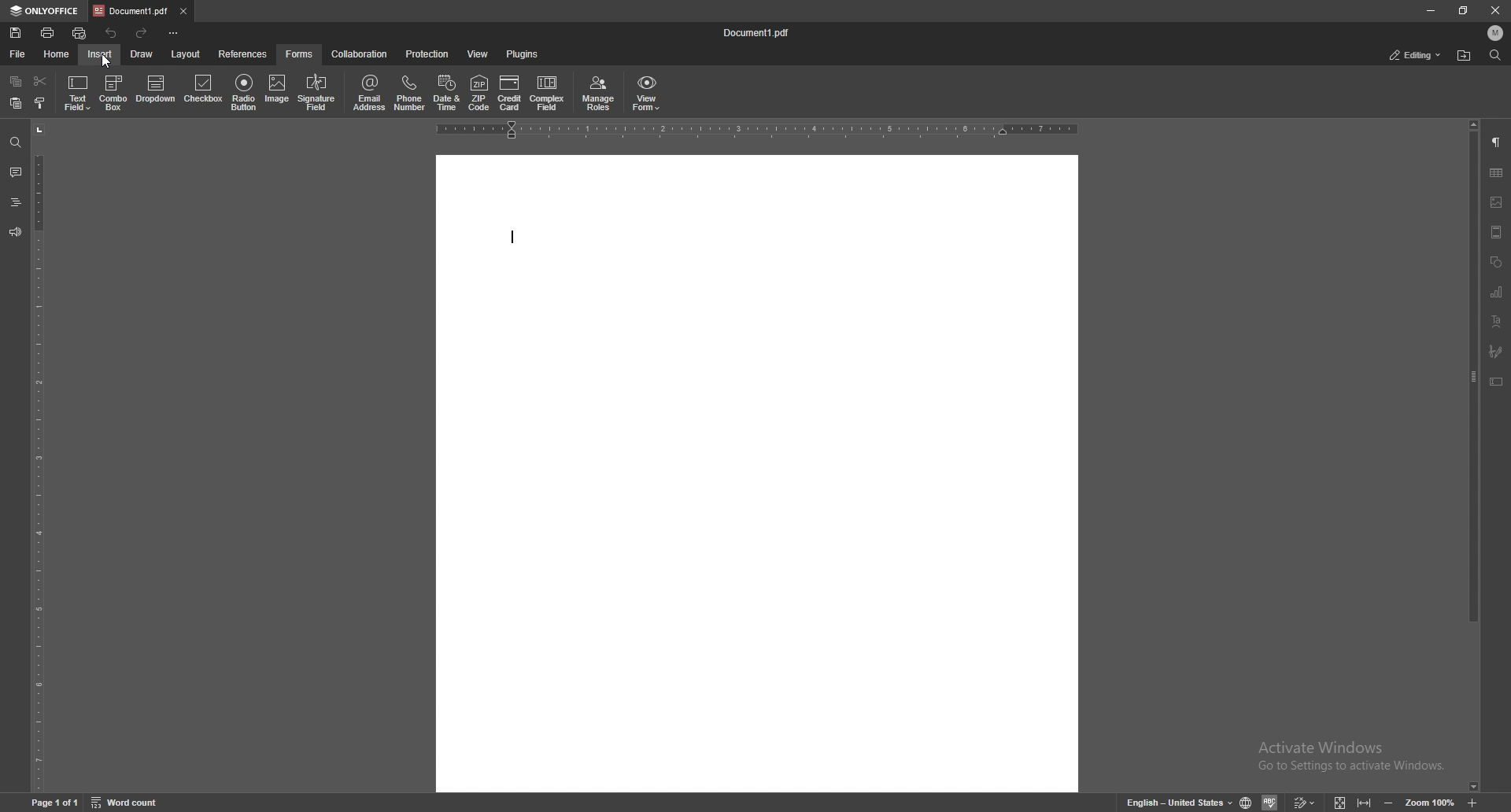 This screenshot has width=1511, height=812. What do you see at coordinates (113, 32) in the screenshot?
I see `undo` at bounding box center [113, 32].